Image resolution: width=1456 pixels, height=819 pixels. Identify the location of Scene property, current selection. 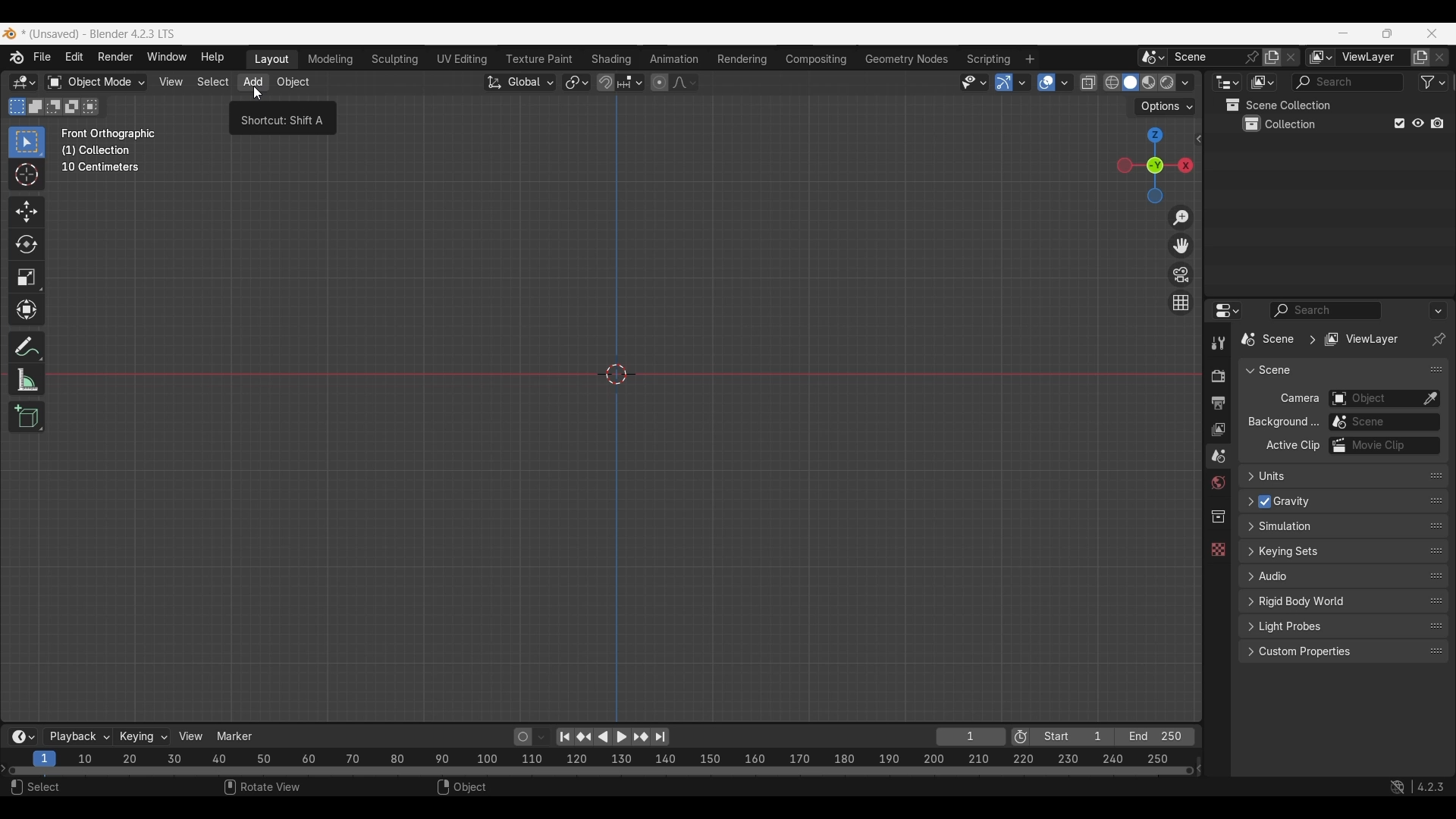
(1218, 457).